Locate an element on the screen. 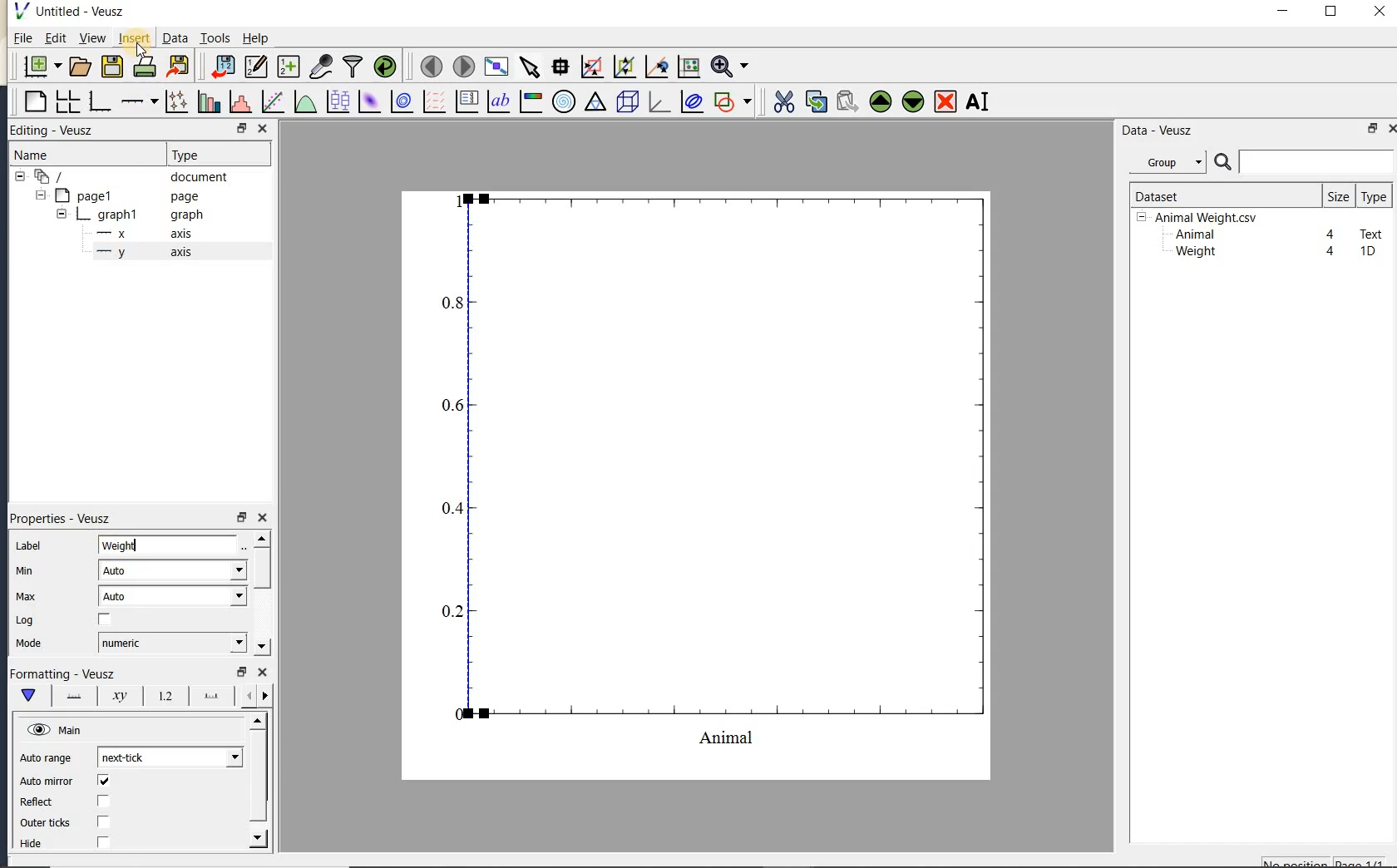 Image resolution: width=1397 pixels, height=868 pixels. Auto mirror is located at coordinates (44, 782).